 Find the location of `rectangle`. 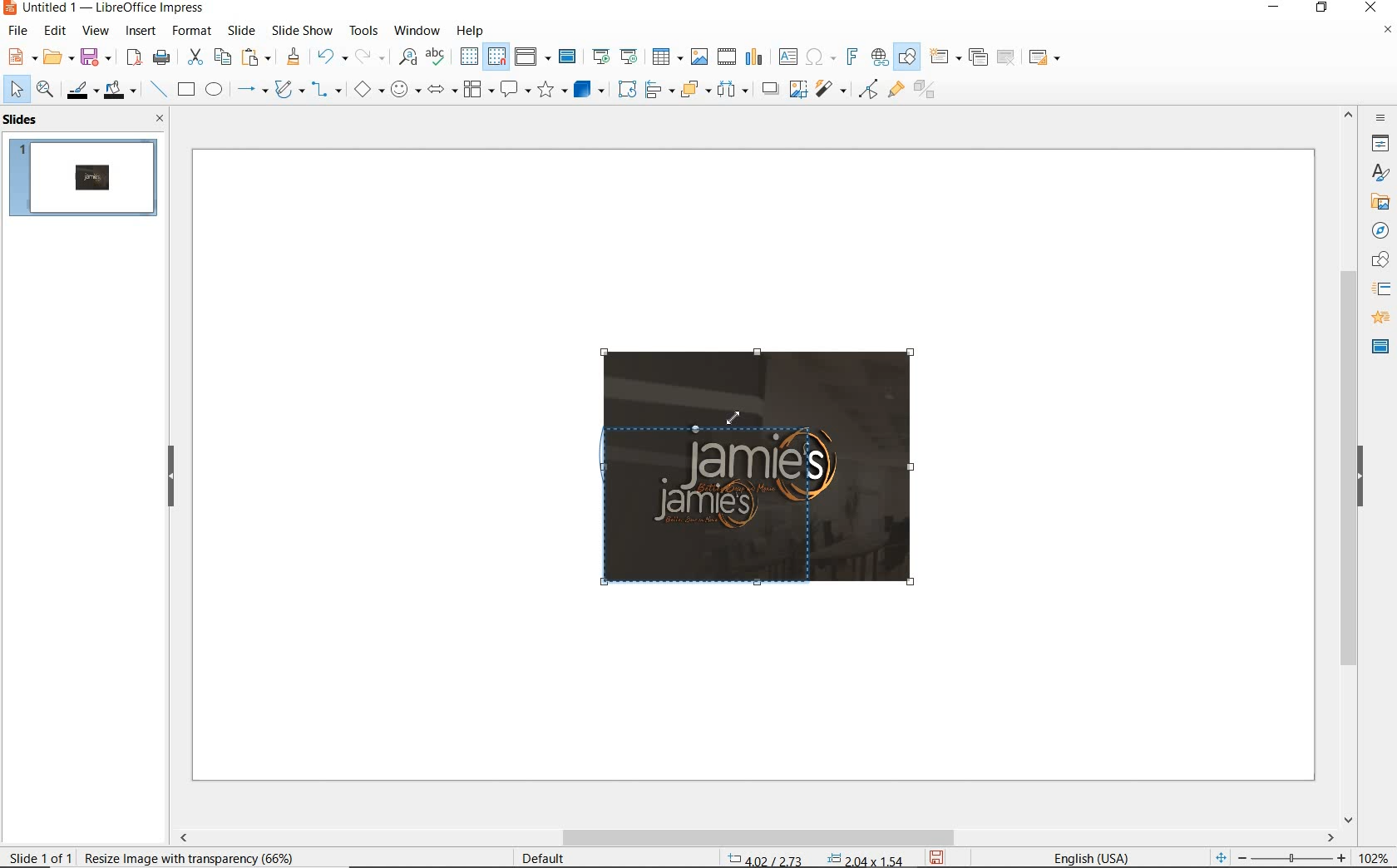

rectangle is located at coordinates (185, 91).